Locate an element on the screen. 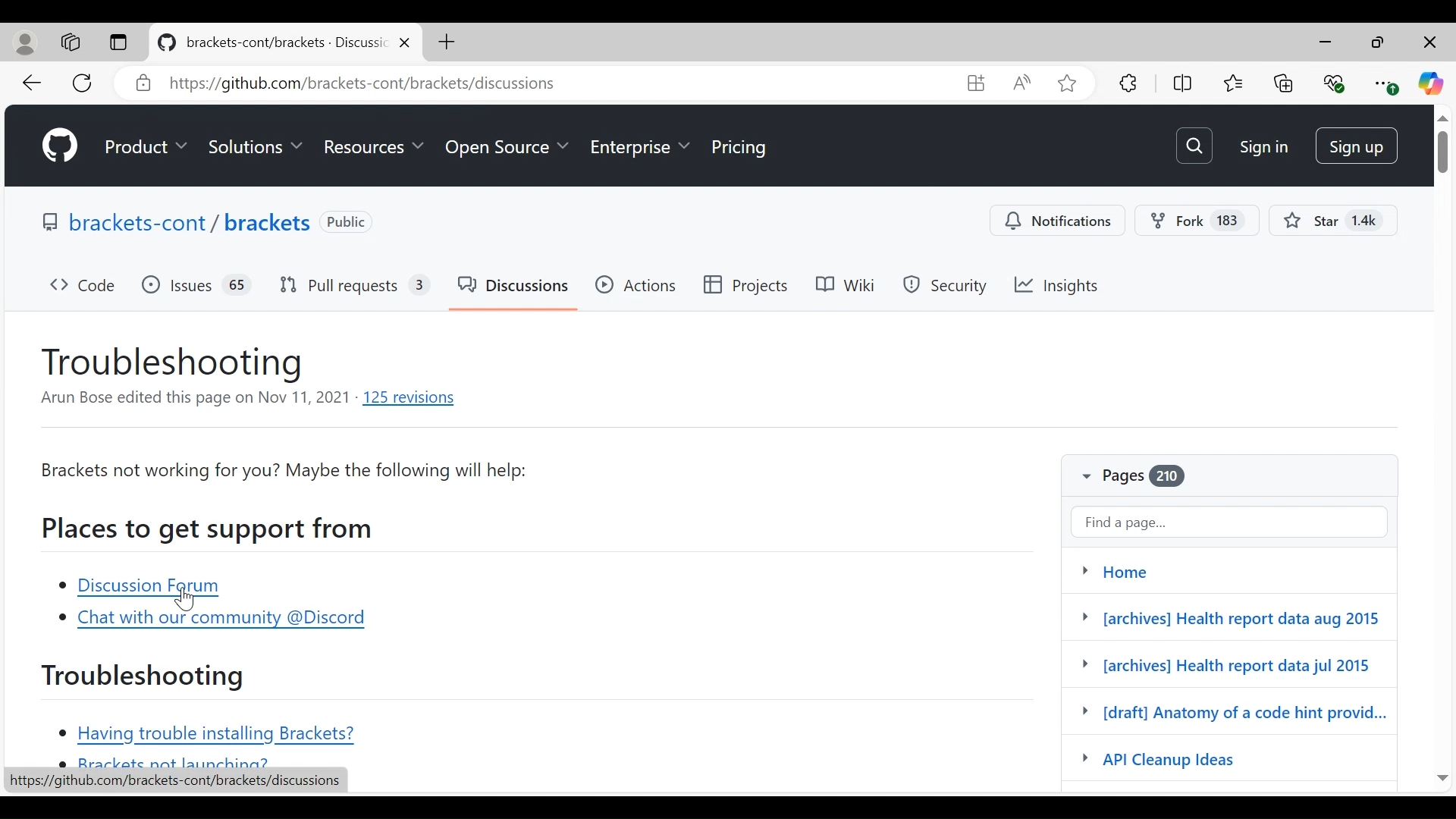  Anatomy of a code hint provide is located at coordinates (1234, 714).